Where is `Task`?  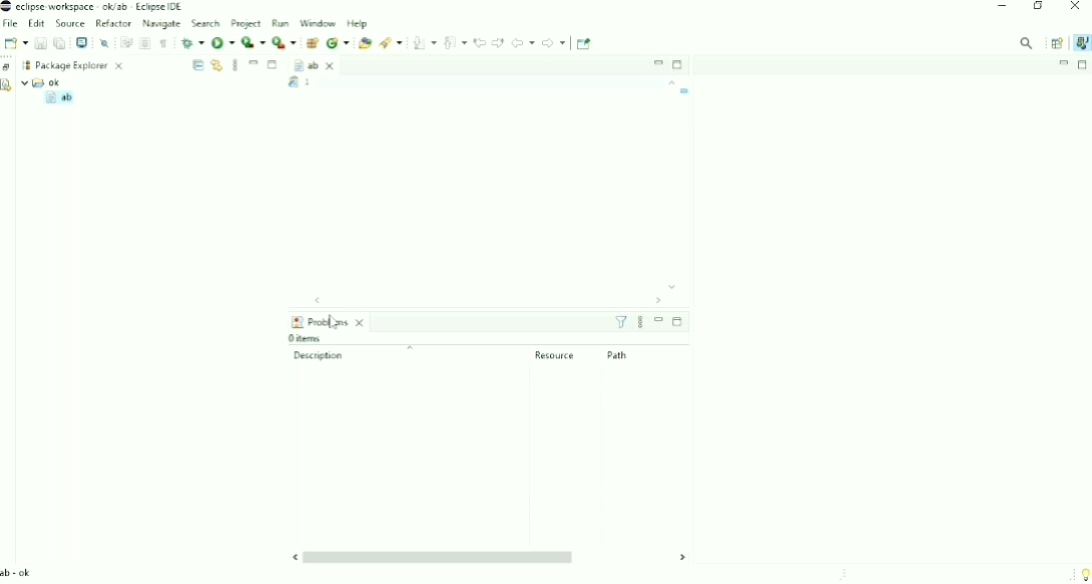 Task is located at coordinates (332, 83).